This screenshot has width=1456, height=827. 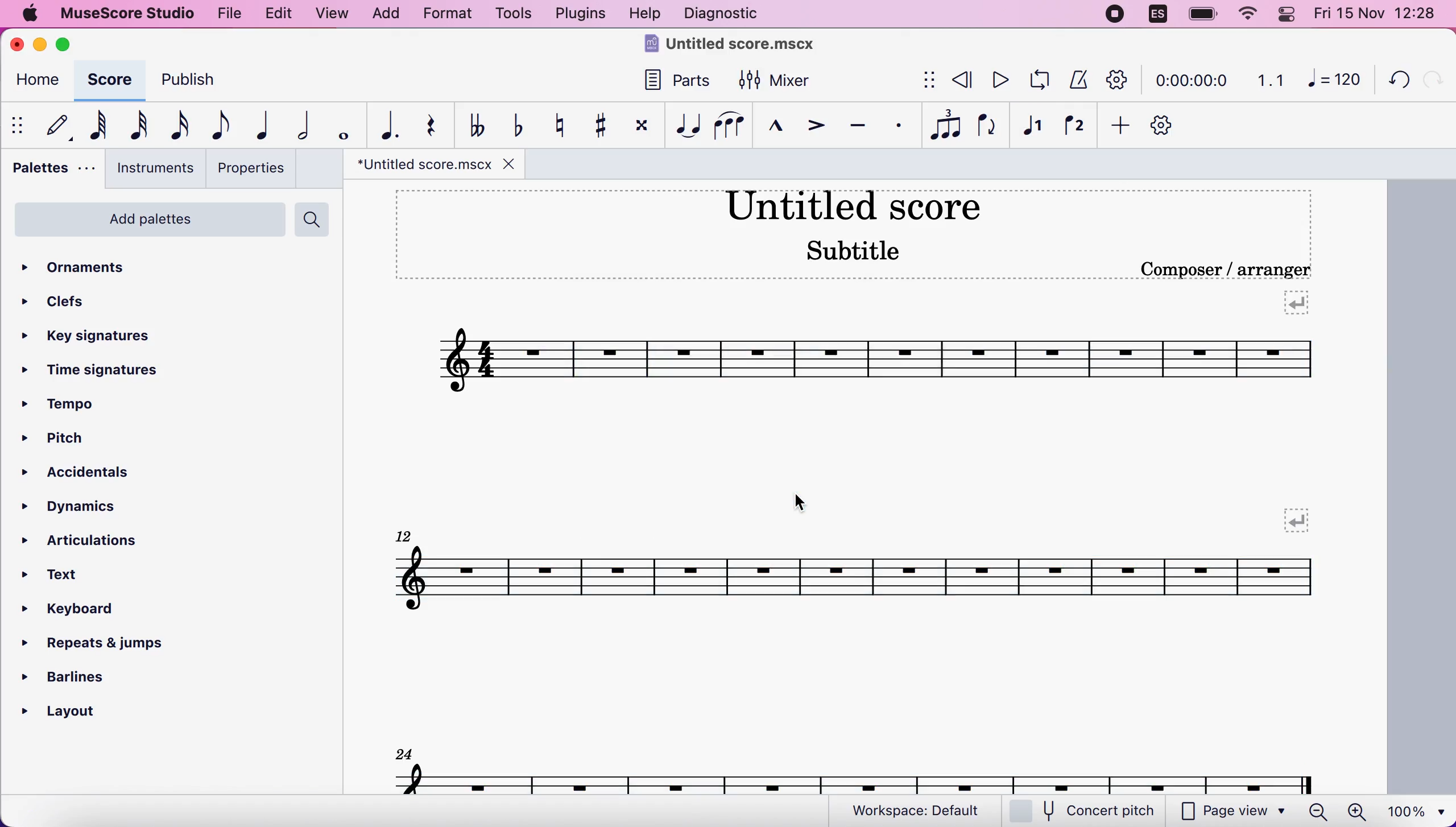 What do you see at coordinates (28, 15) in the screenshot?
I see `mac logo` at bounding box center [28, 15].